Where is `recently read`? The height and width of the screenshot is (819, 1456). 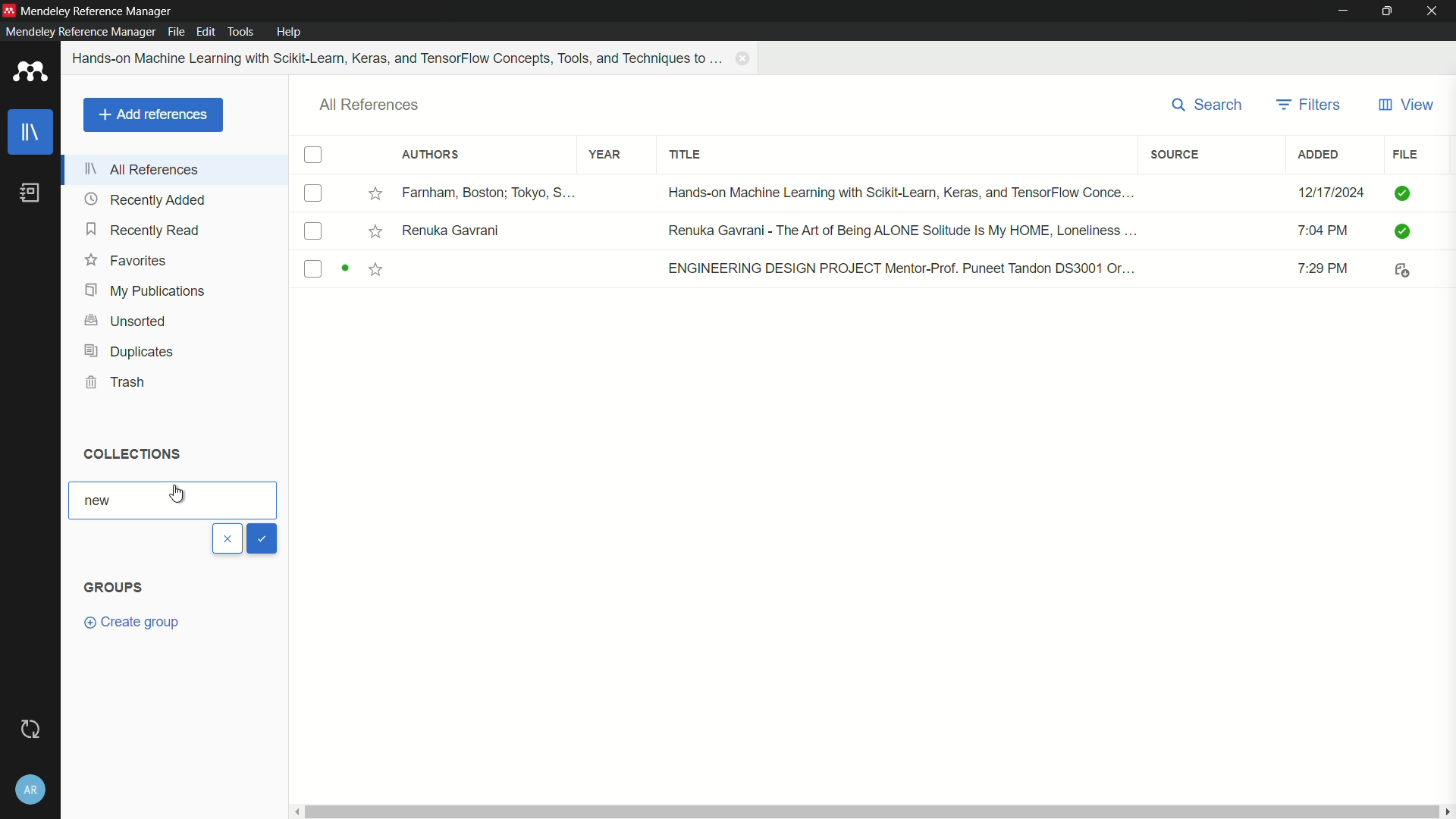 recently read is located at coordinates (145, 229).